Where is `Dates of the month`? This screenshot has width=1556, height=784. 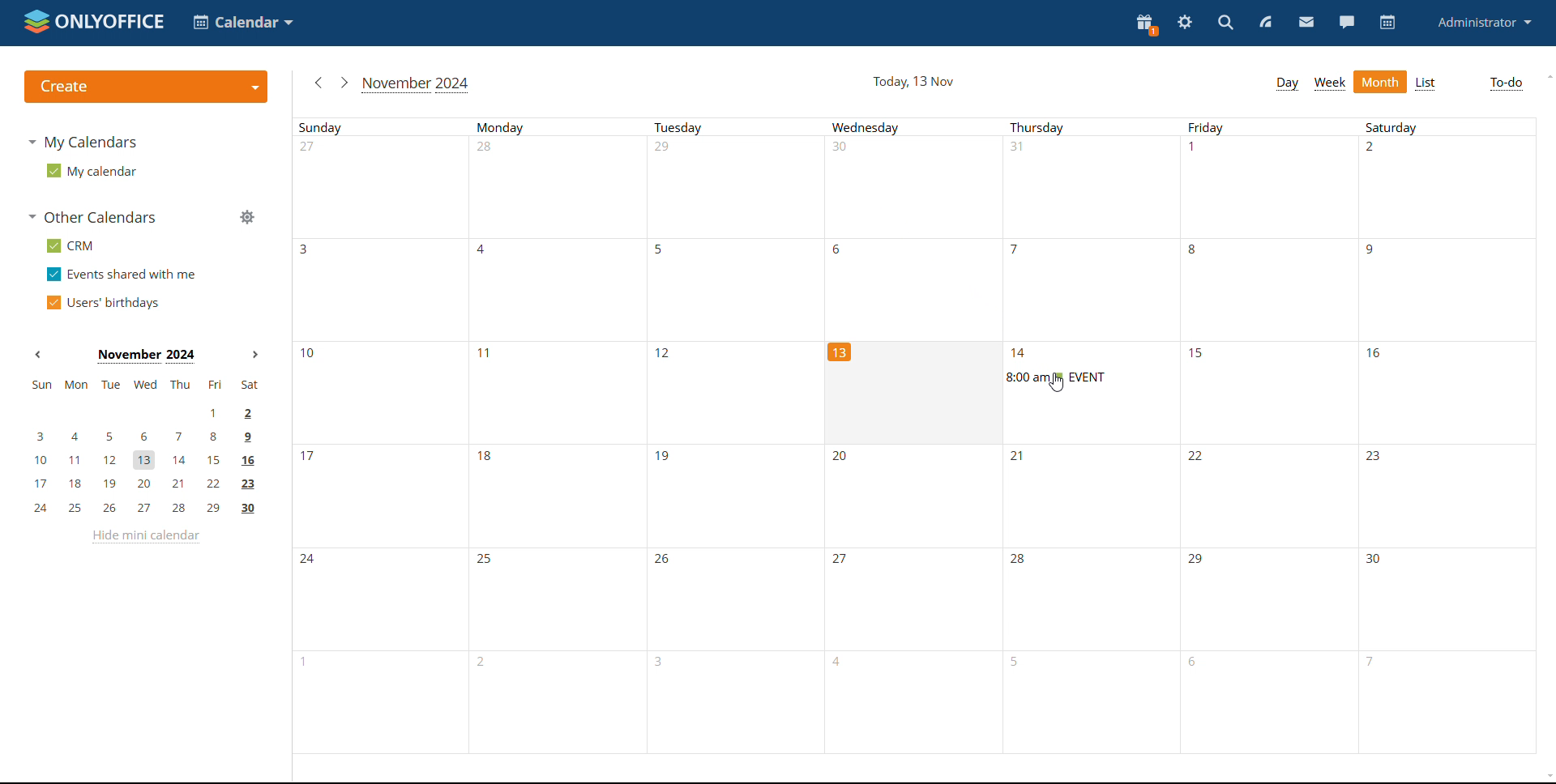 Dates of the month is located at coordinates (913, 286).